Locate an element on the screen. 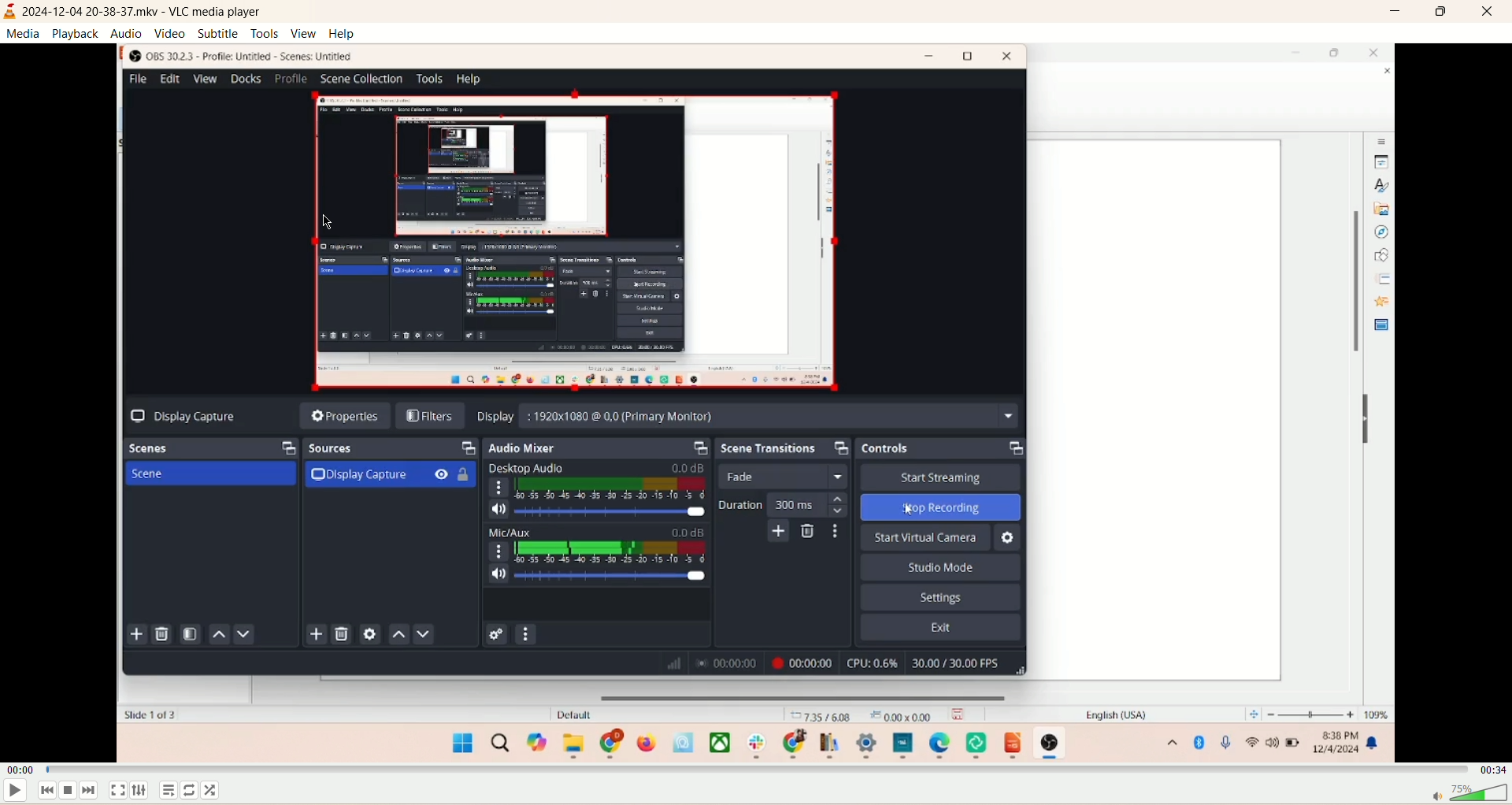 This screenshot has width=1512, height=805. tools is located at coordinates (265, 34).